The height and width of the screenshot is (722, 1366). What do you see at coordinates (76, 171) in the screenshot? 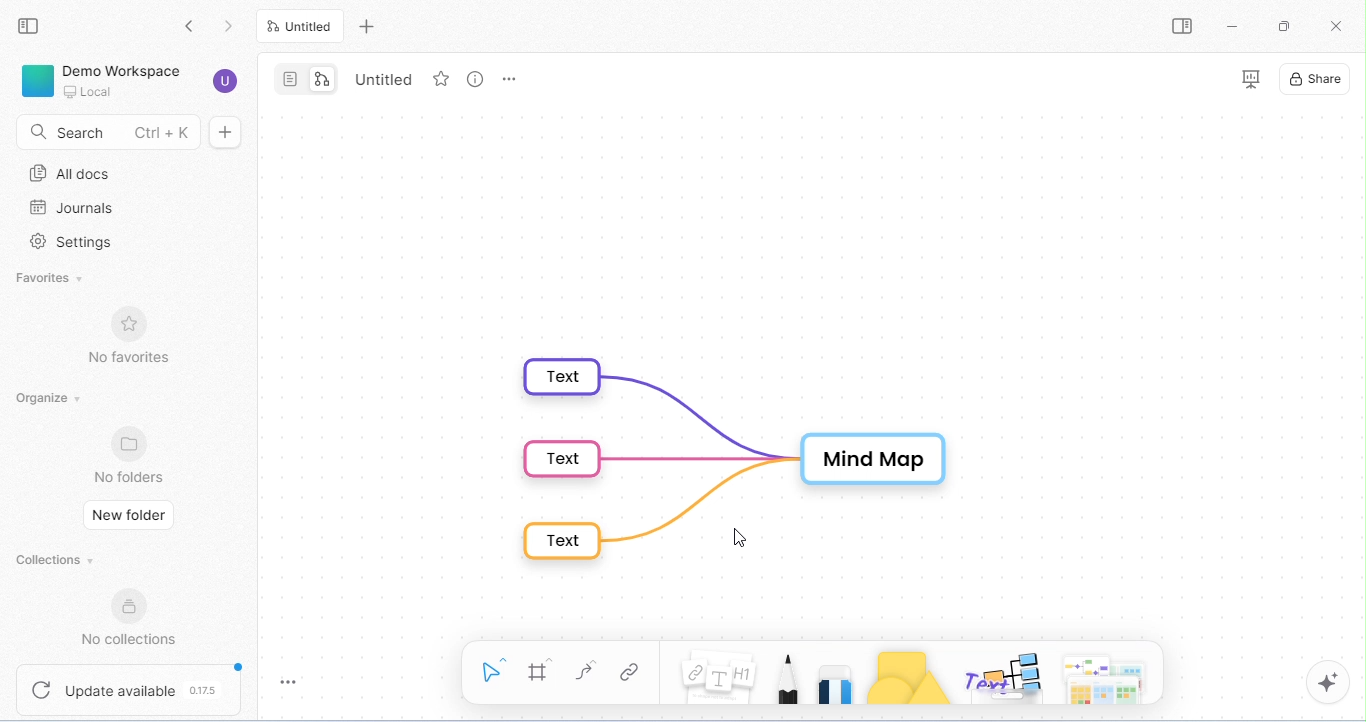
I see `all docs` at bounding box center [76, 171].